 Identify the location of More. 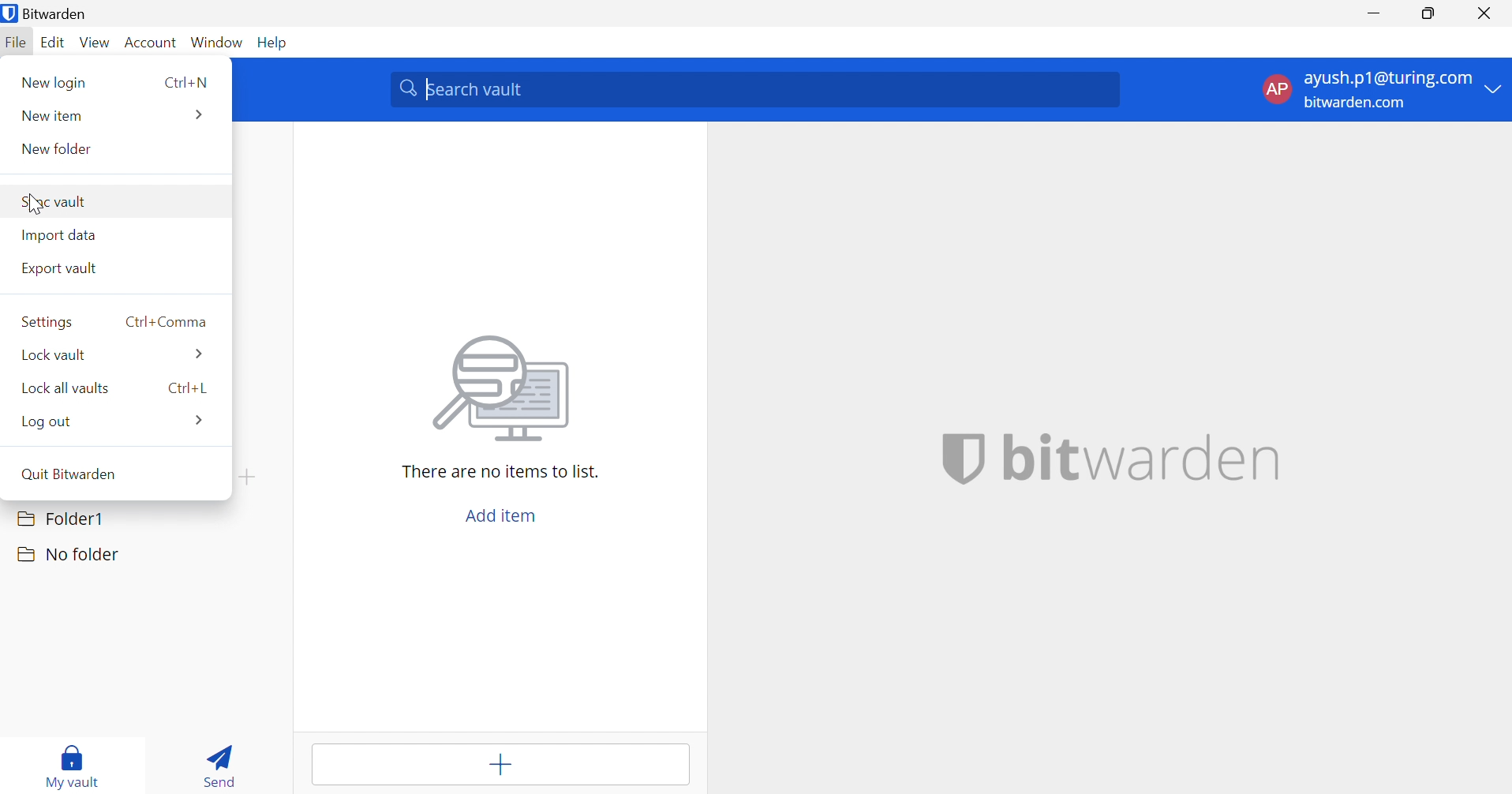
(201, 420).